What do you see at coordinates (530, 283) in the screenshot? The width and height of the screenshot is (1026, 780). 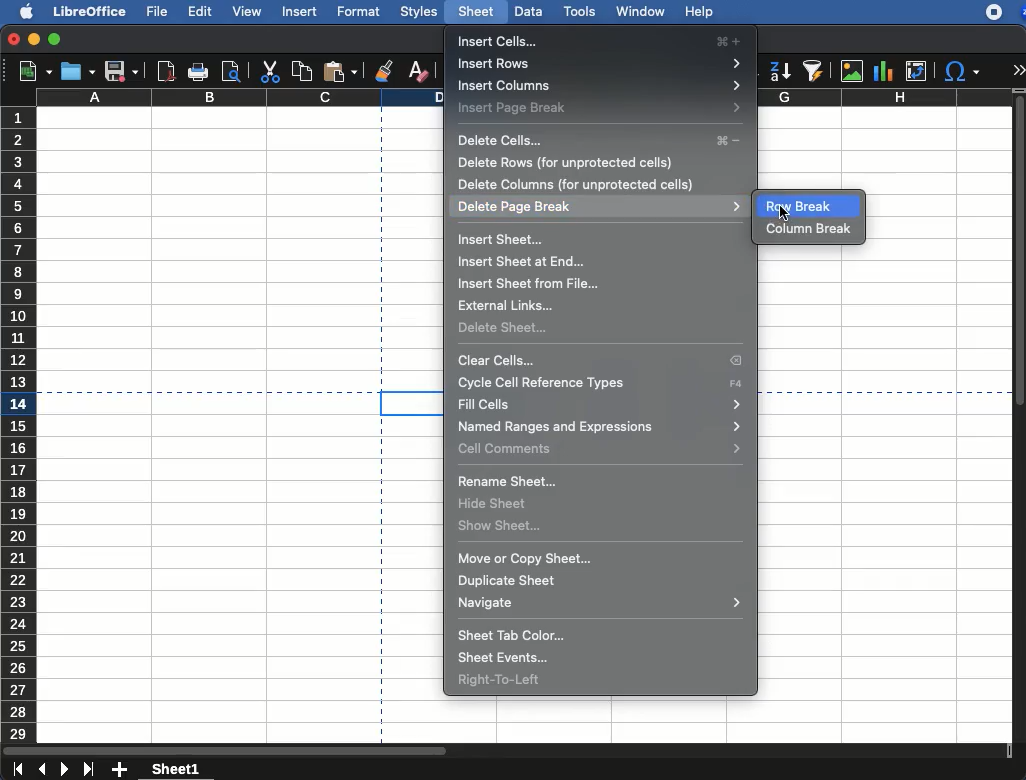 I see `insert sheet from file` at bounding box center [530, 283].